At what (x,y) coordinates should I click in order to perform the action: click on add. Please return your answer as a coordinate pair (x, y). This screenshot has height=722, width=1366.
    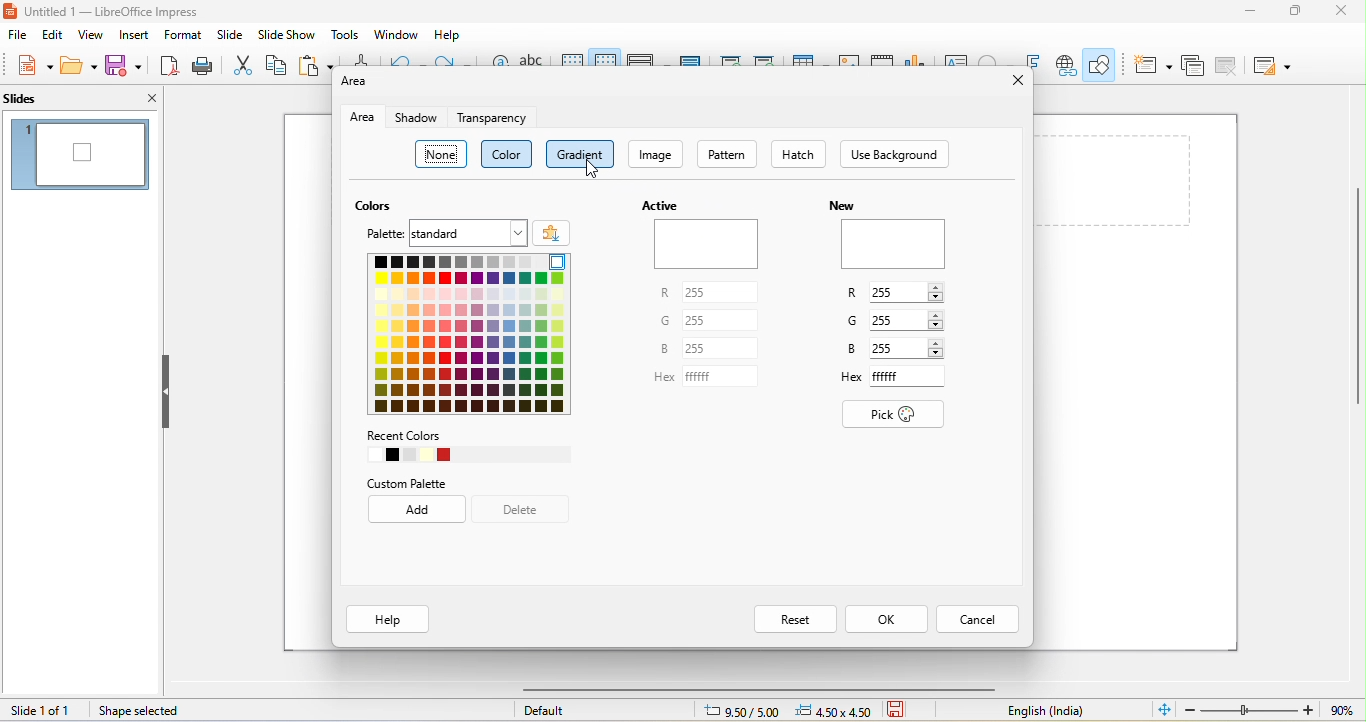
    Looking at the image, I should click on (419, 510).